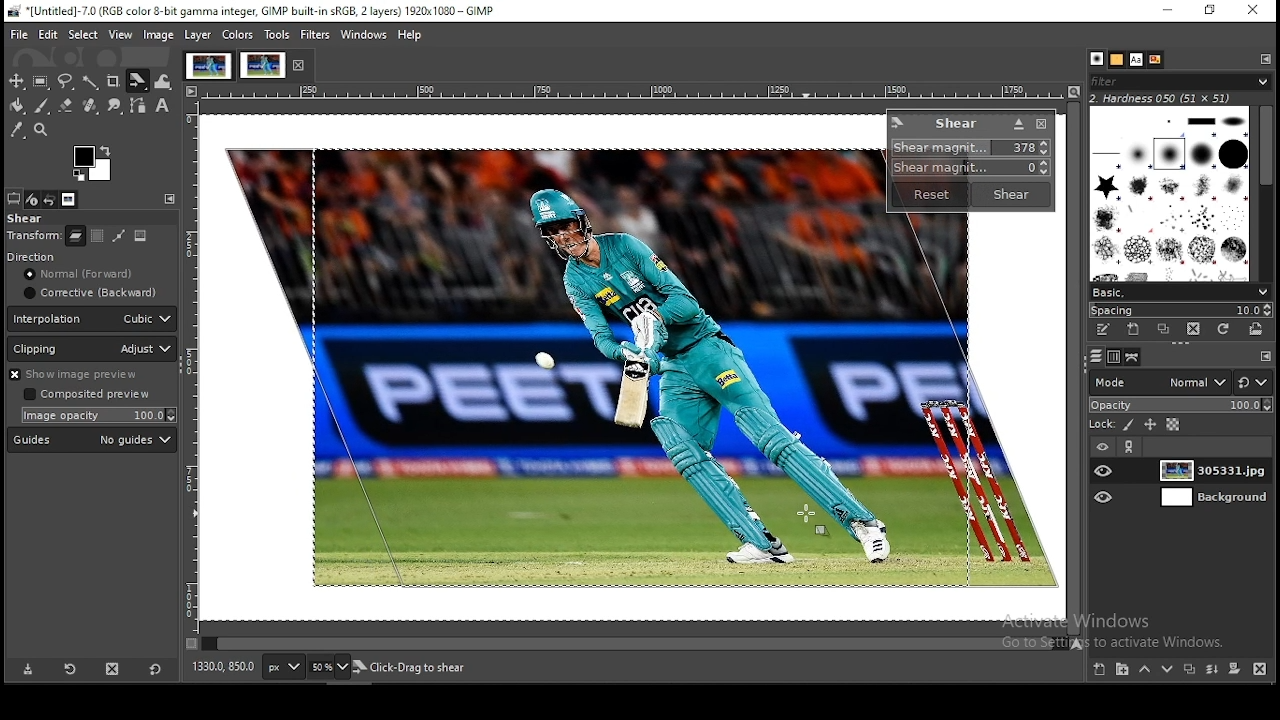 The height and width of the screenshot is (720, 1280). What do you see at coordinates (1106, 496) in the screenshot?
I see `layer visibility on/off` at bounding box center [1106, 496].